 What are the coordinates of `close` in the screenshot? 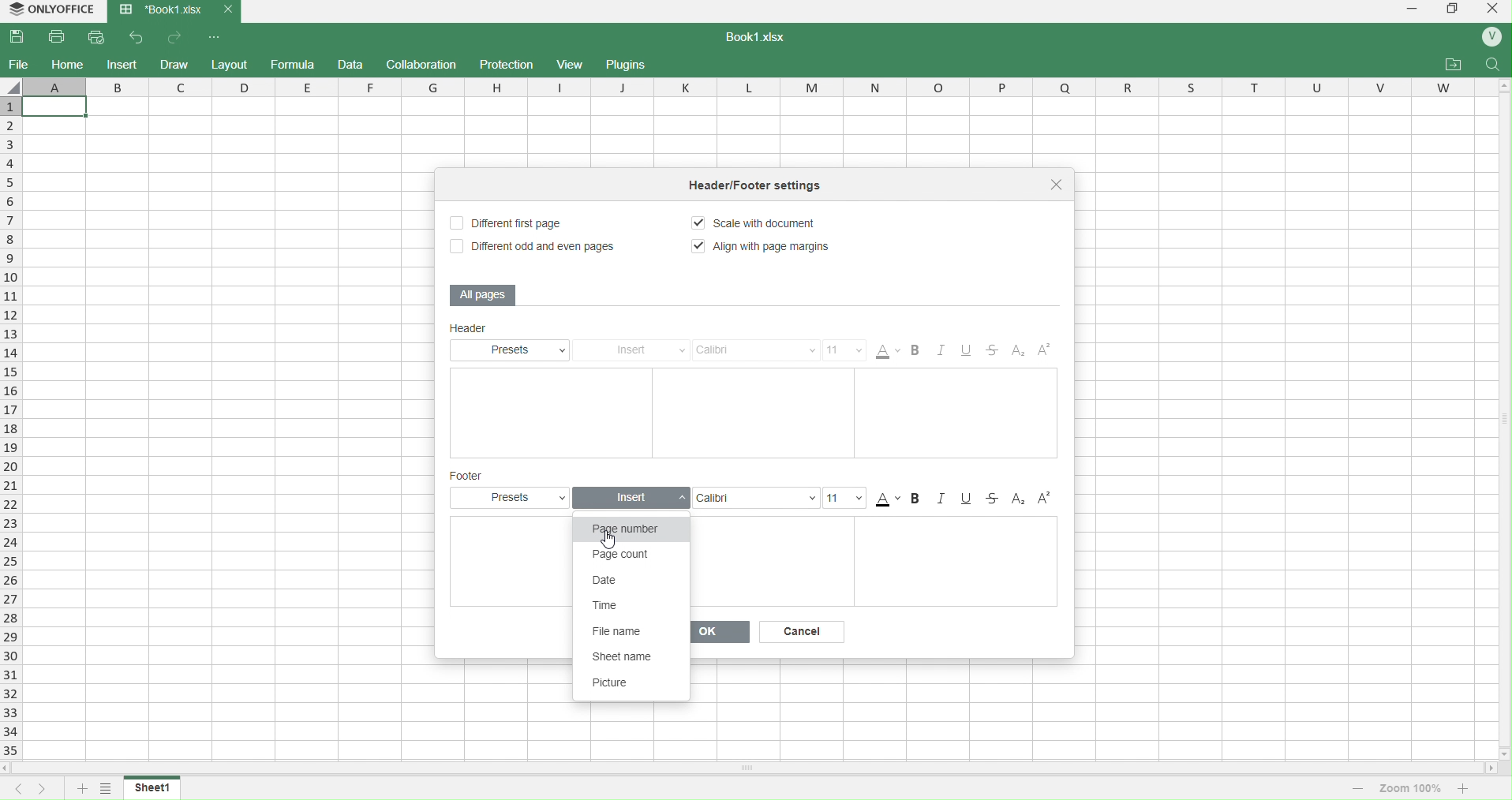 It's located at (1059, 185).